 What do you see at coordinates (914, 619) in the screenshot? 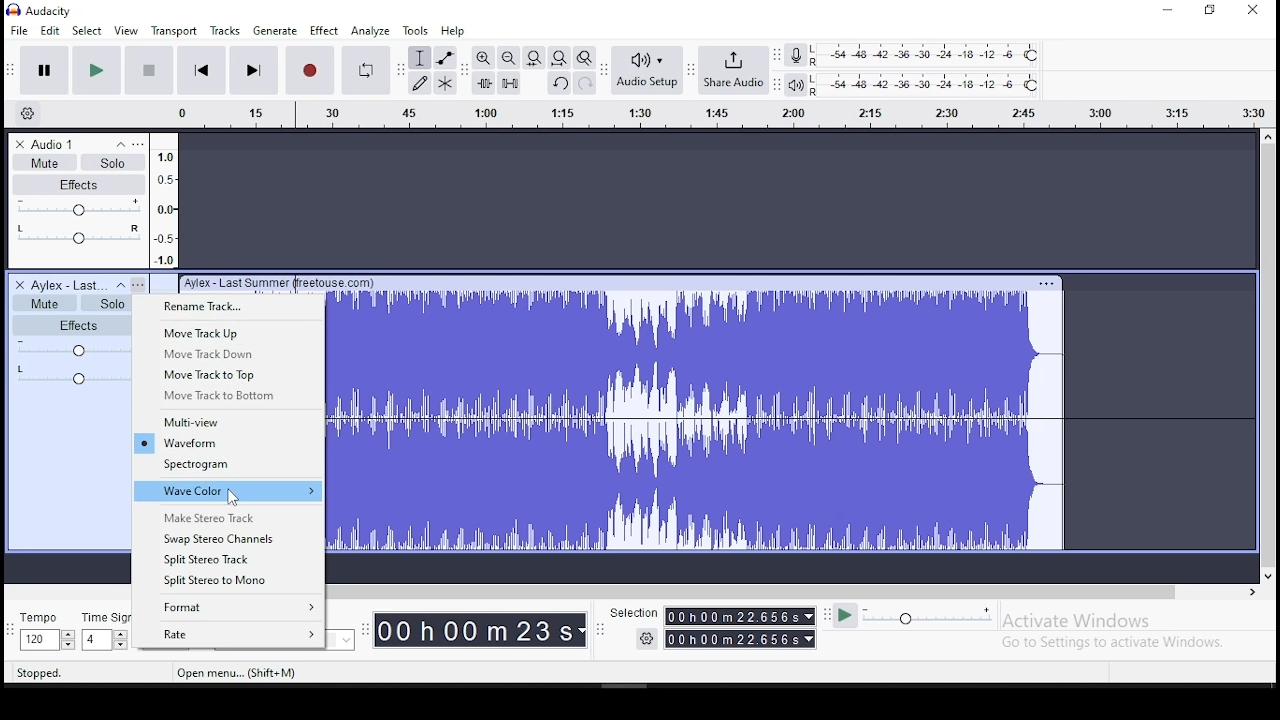
I see `play at speed/play at speed (once)` at bounding box center [914, 619].